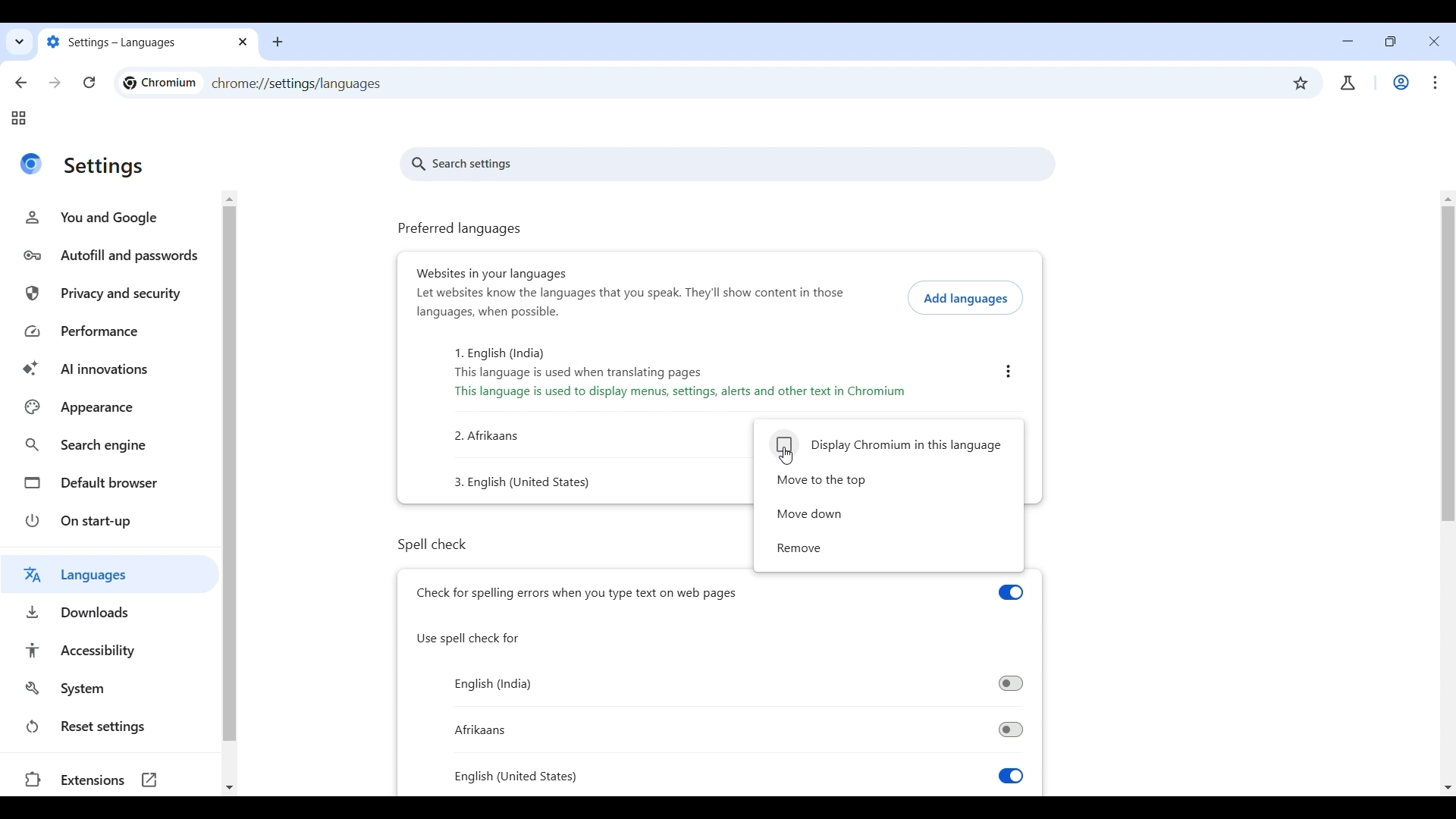 The image size is (1456, 819). Describe the element at coordinates (232, 196) in the screenshot. I see `Quick slide to top` at that location.